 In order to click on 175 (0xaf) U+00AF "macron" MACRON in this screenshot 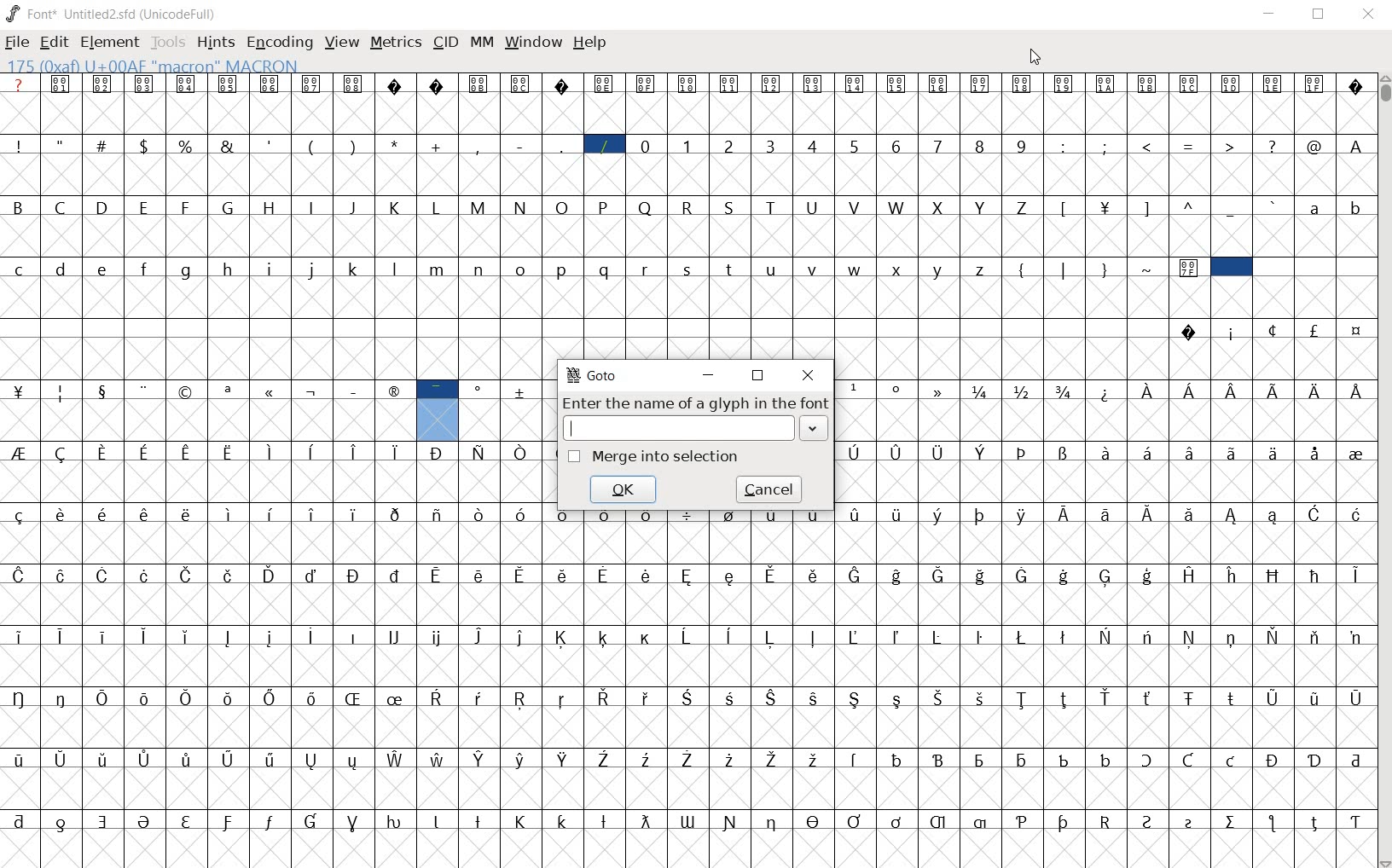, I will do `click(150, 66)`.